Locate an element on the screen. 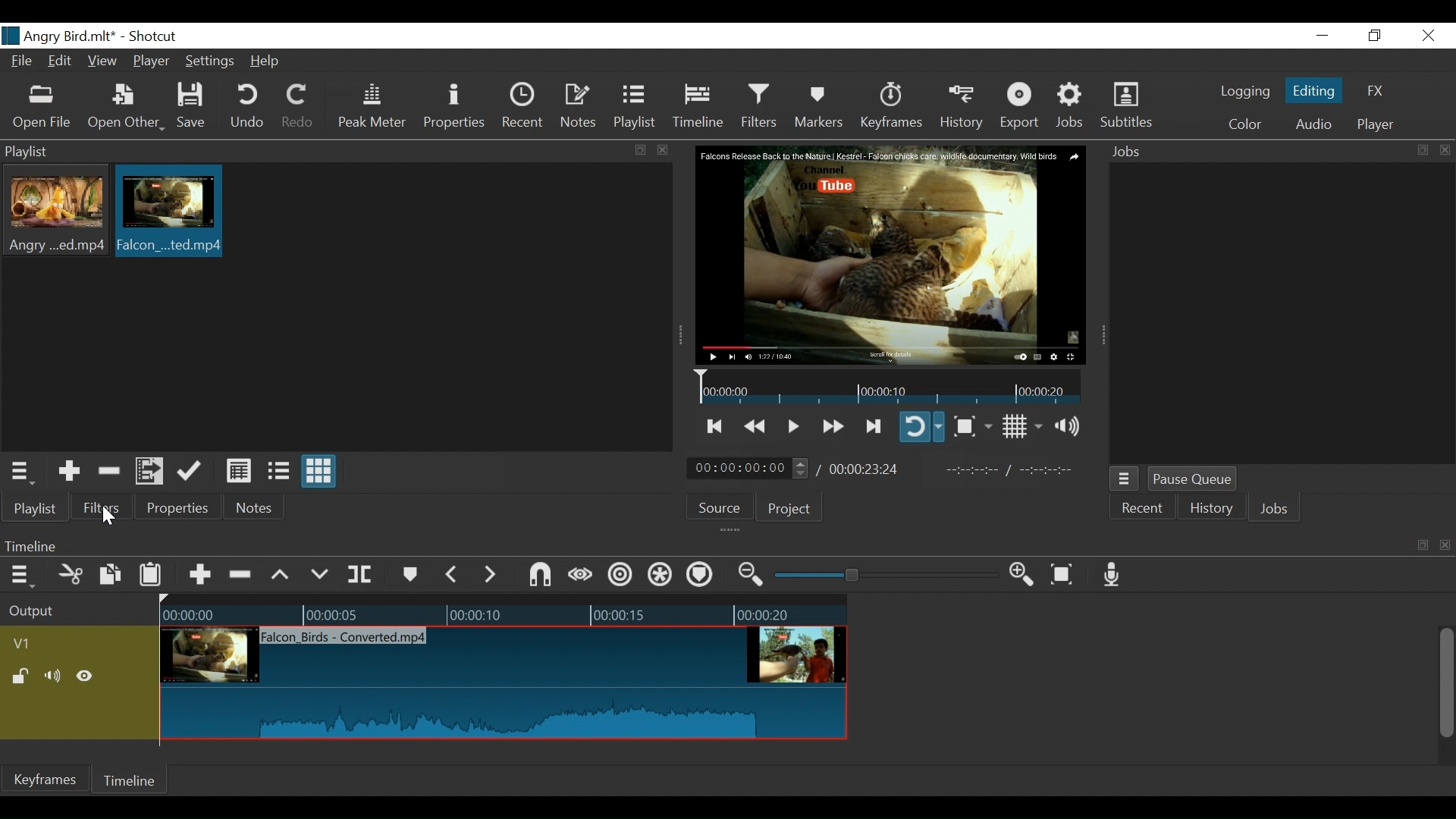 The width and height of the screenshot is (1456, 819). copy is located at coordinates (642, 151).